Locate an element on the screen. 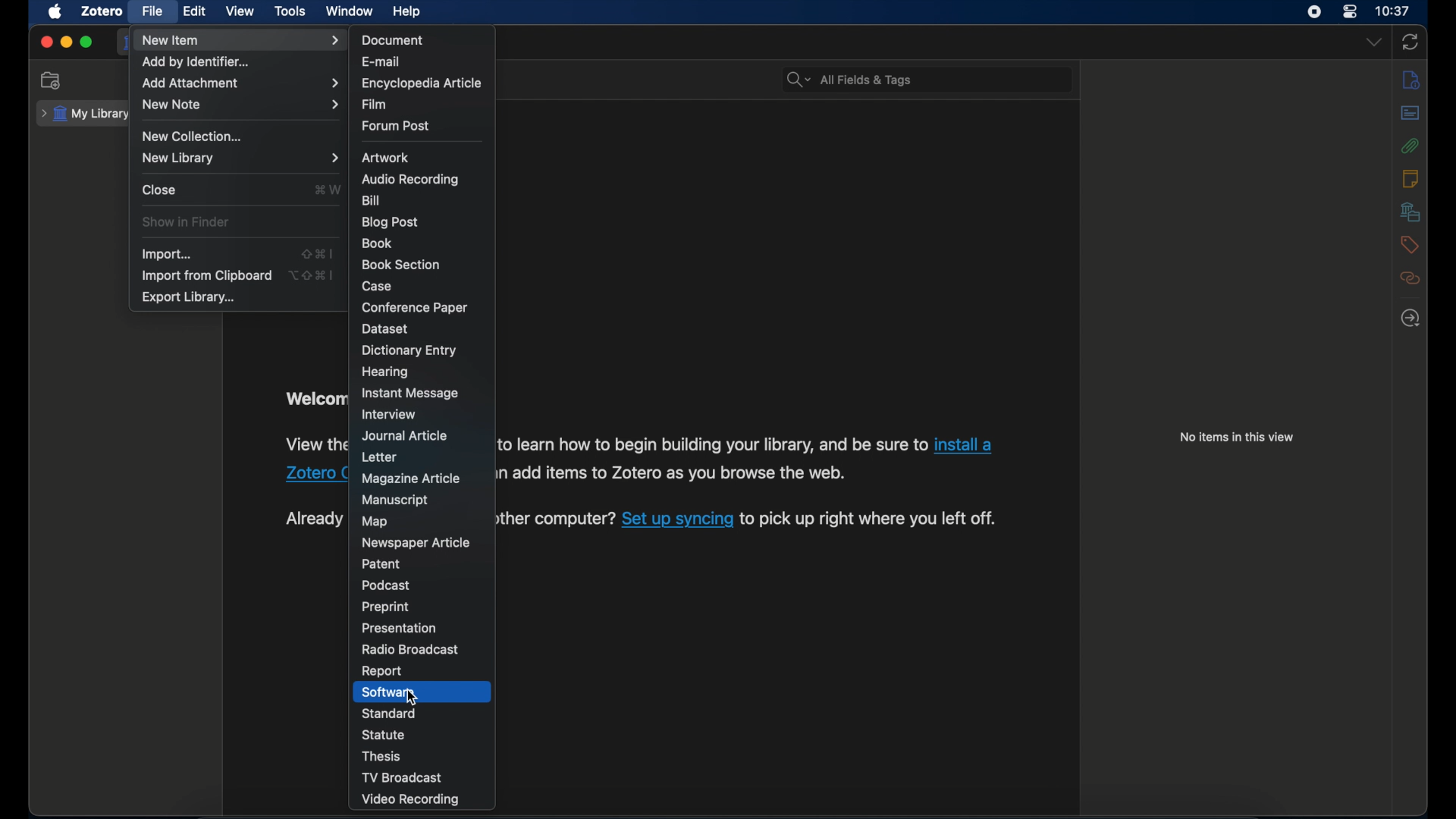  10.37 is located at coordinates (1393, 12).